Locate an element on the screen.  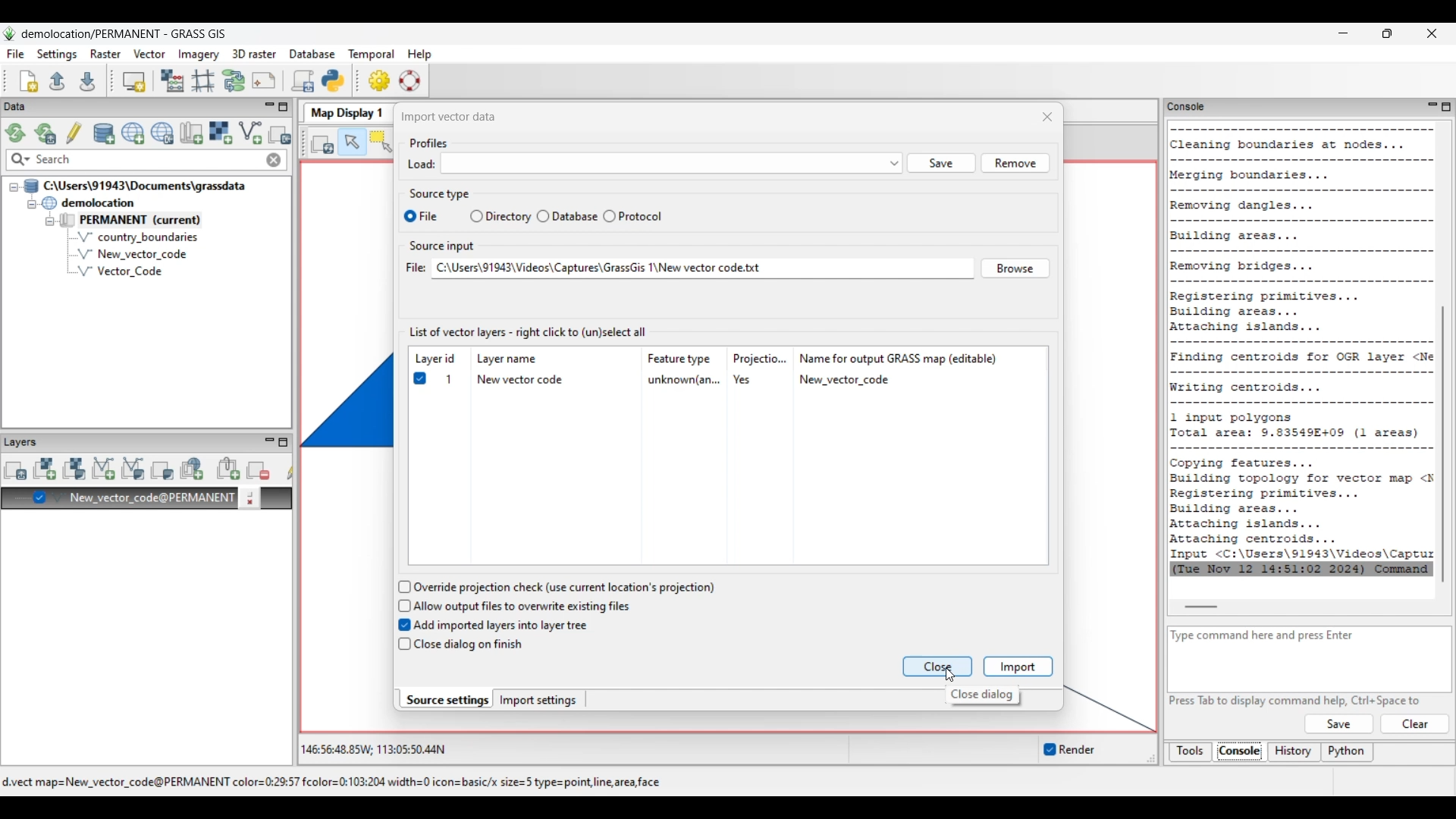
Profiles is located at coordinates (430, 142).